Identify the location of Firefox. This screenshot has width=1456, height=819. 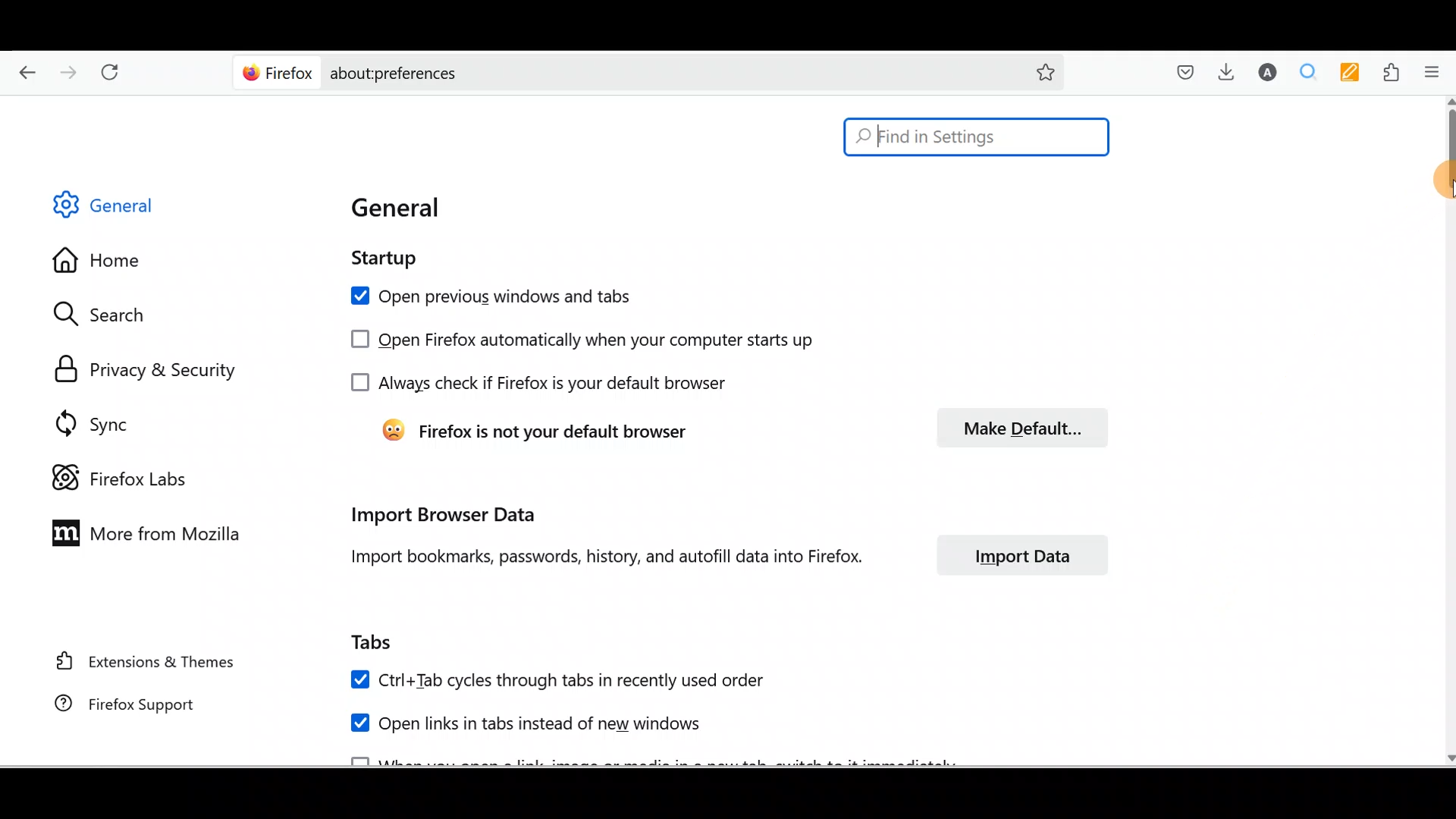
(278, 72).